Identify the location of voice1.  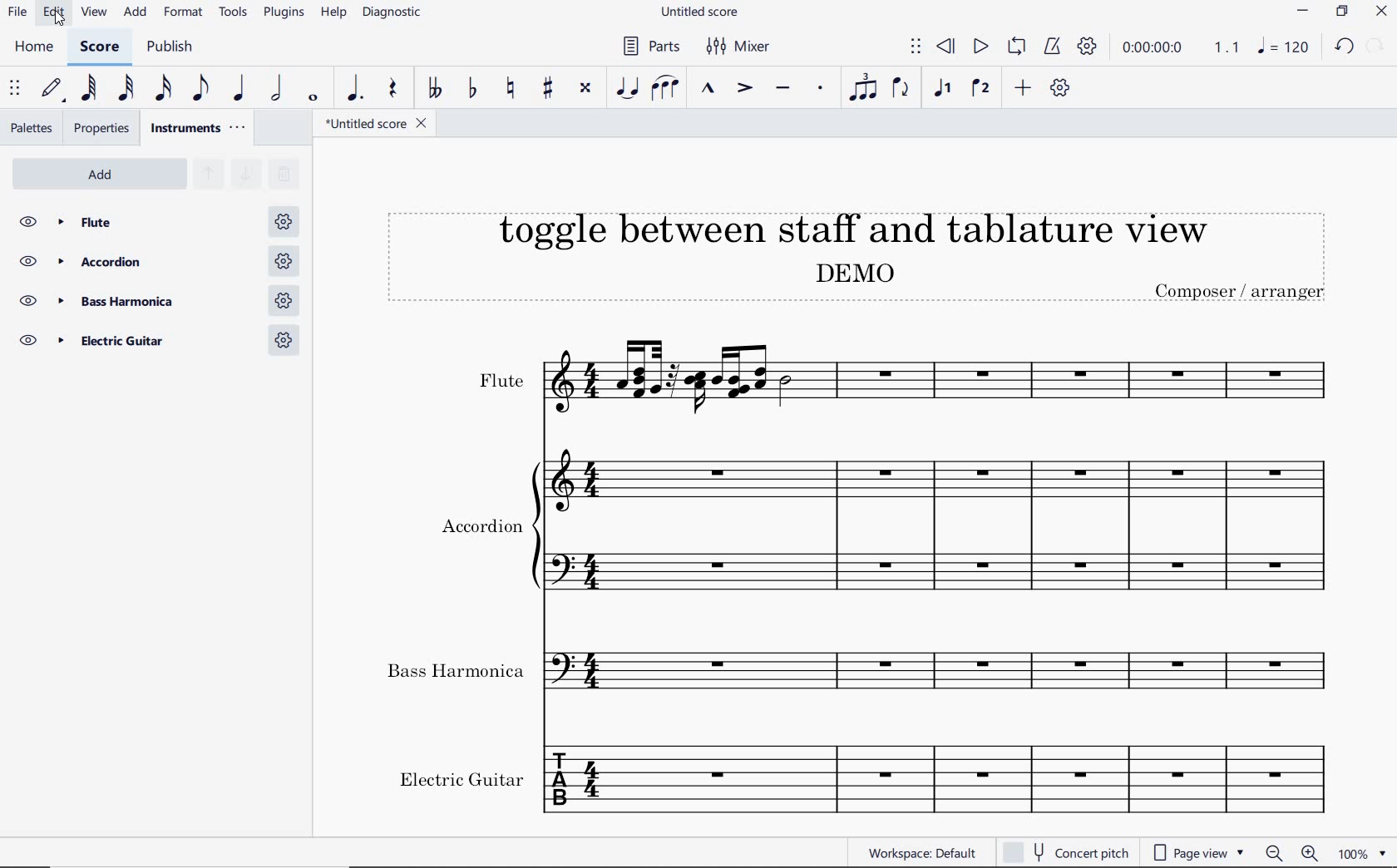
(945, 89).